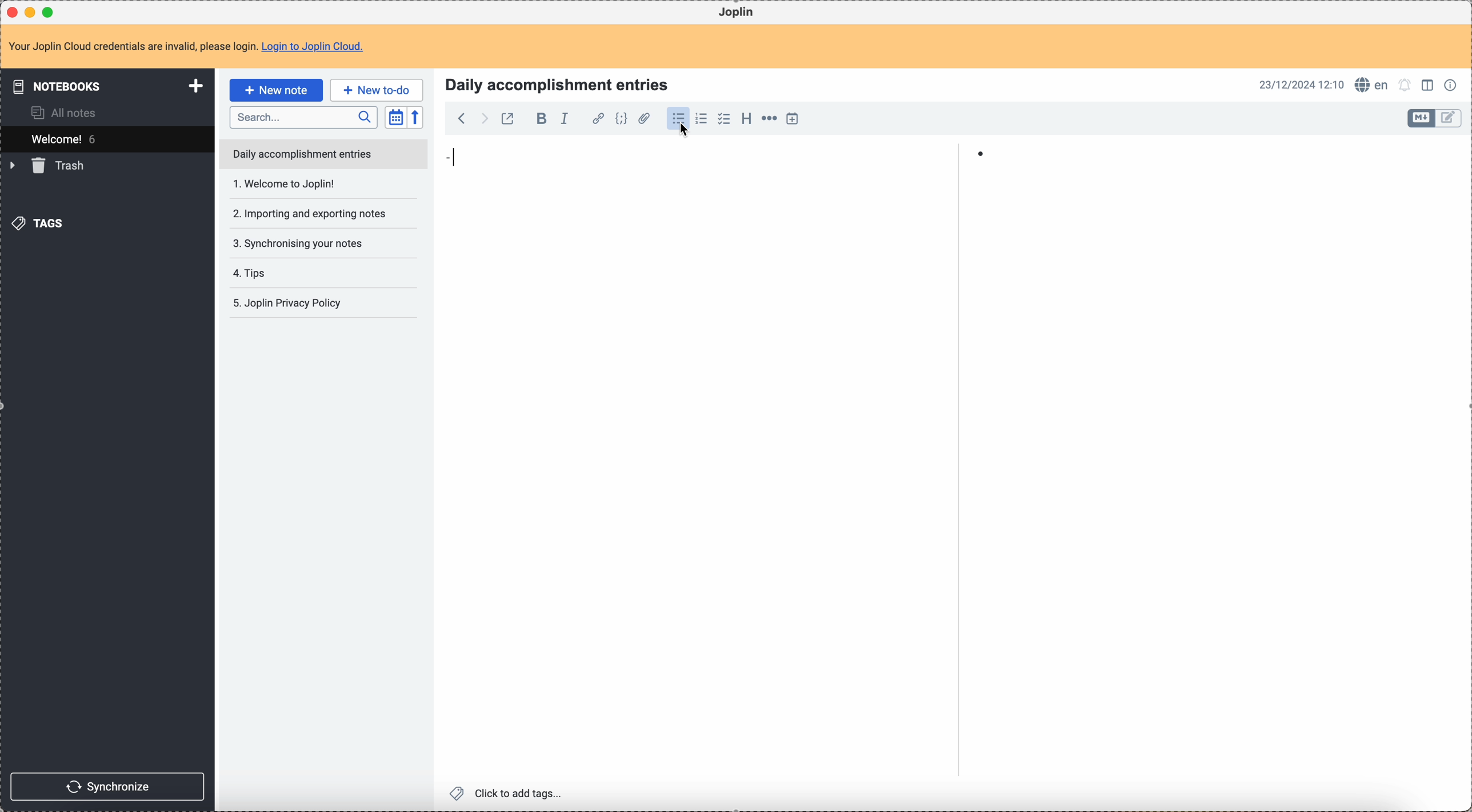 The width and height of the screenshot is (1472, 812). What do you see at coordinates (50, 166) in the screenshot?
I see `trash` at bounding box center [50, 166].